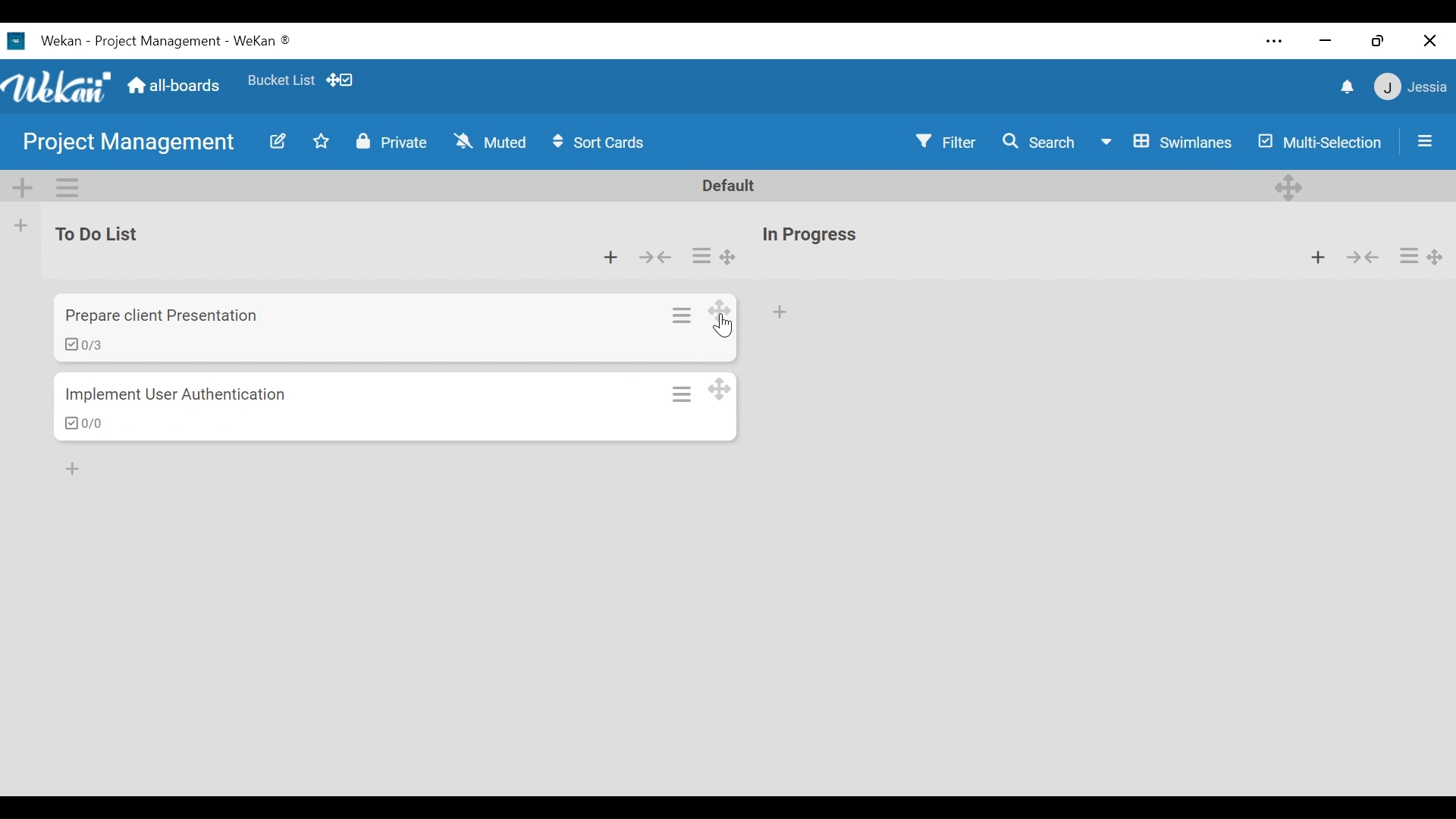  What do you see at coordinates (161, 43) in the screenshot?
I see `Wekan Desktop icon` at bounding box center [161, 43].